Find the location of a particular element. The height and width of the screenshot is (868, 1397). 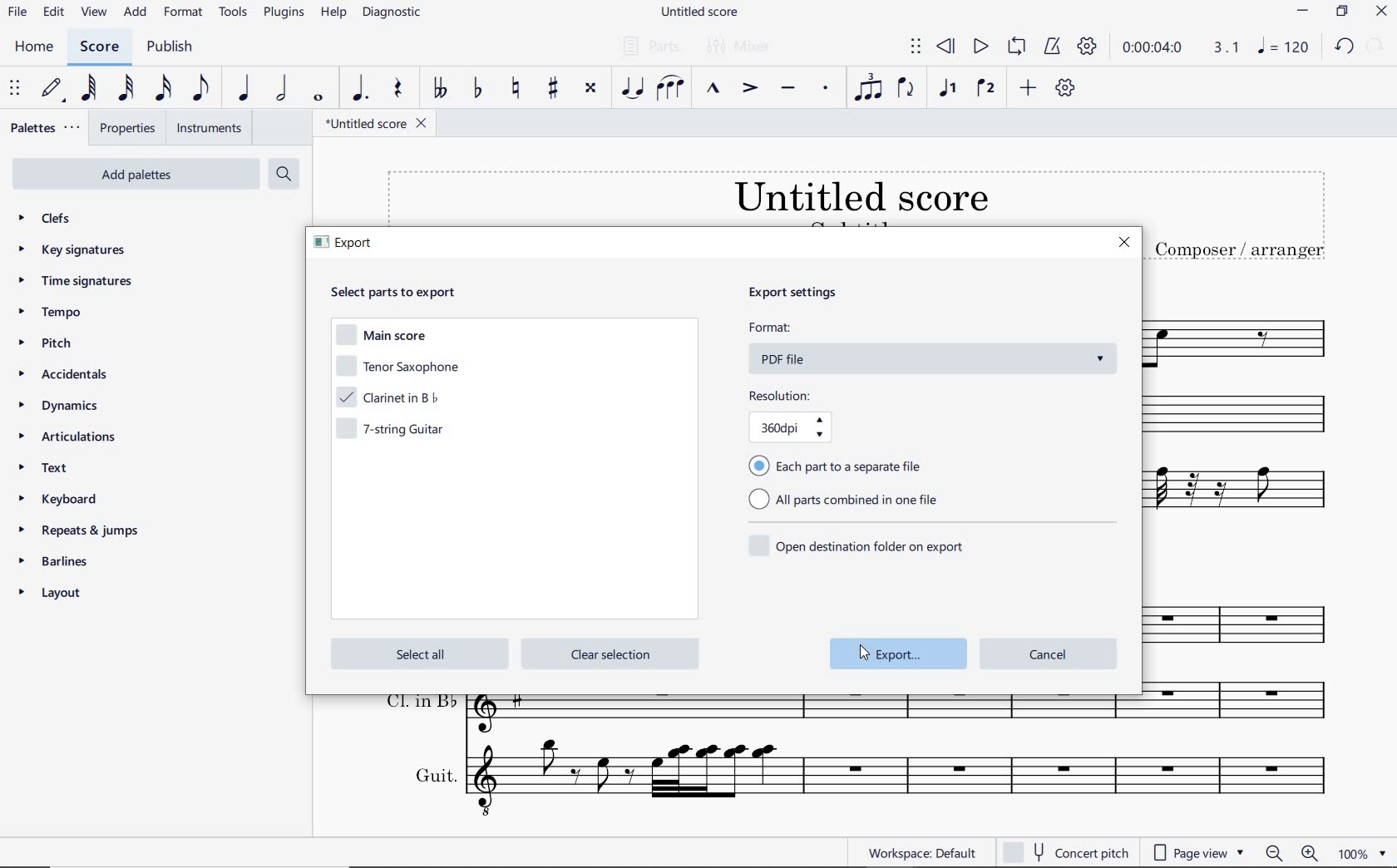

FLIP DIRECTION is located at coordinates (907, 90).